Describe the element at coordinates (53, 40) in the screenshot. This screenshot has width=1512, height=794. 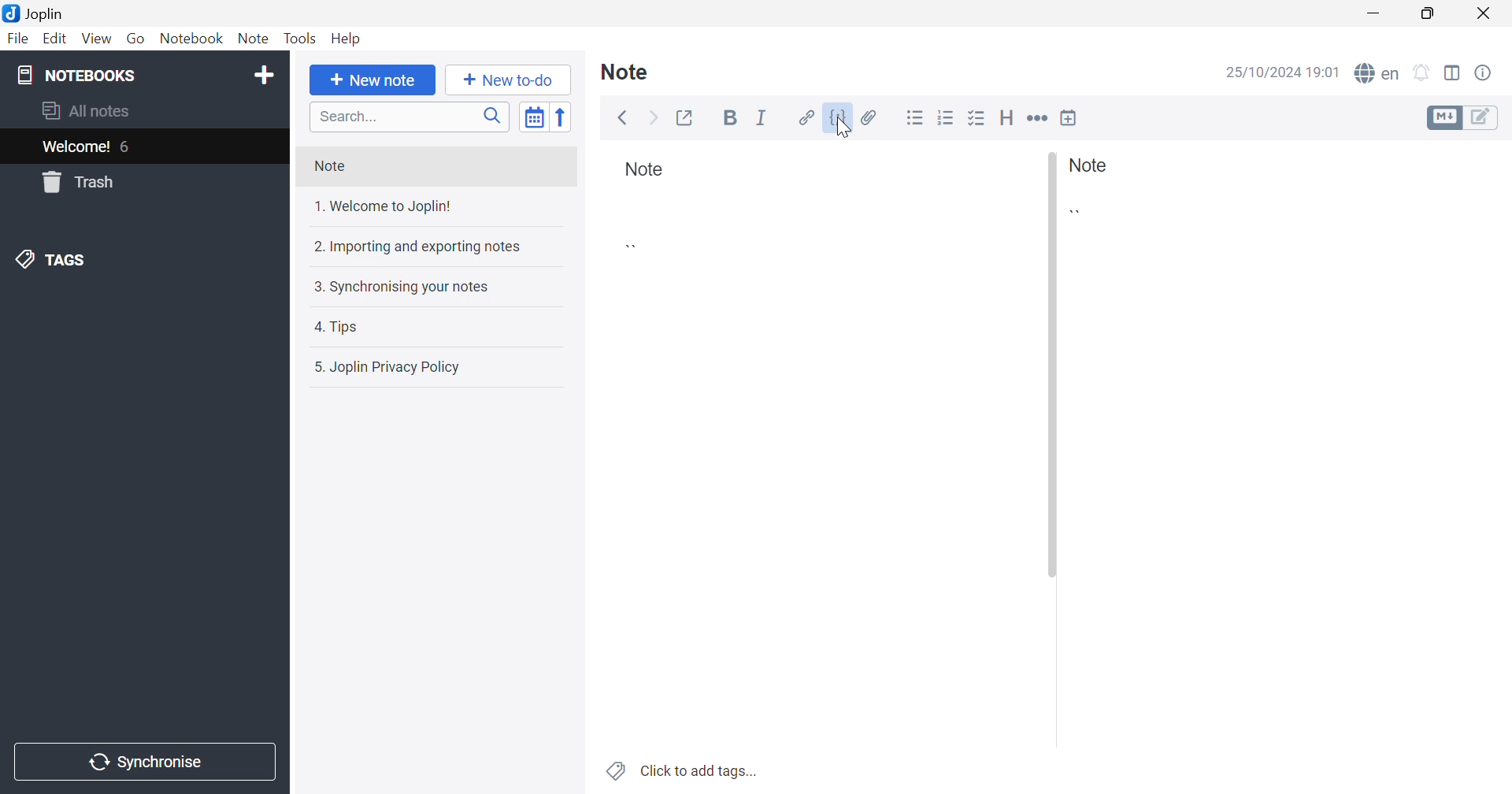
I see `Edit` at that location.